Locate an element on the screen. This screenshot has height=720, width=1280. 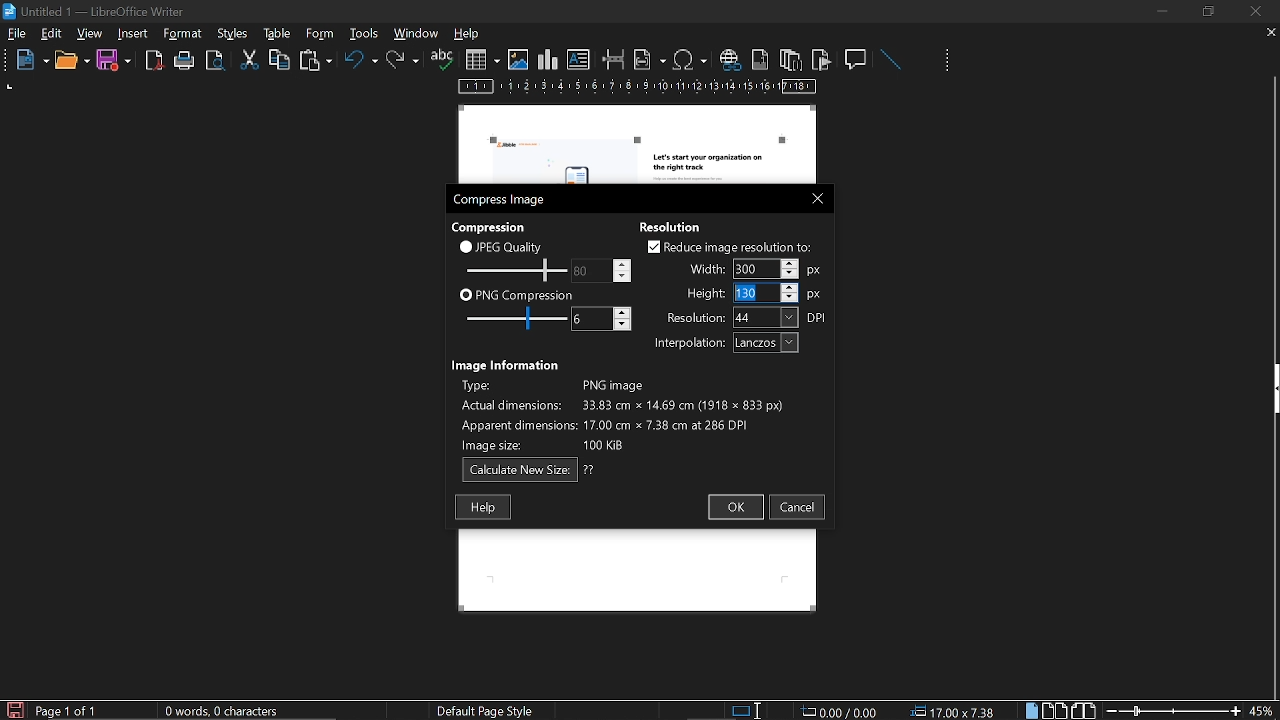
export as pdf is located at coordinates (155, 61).